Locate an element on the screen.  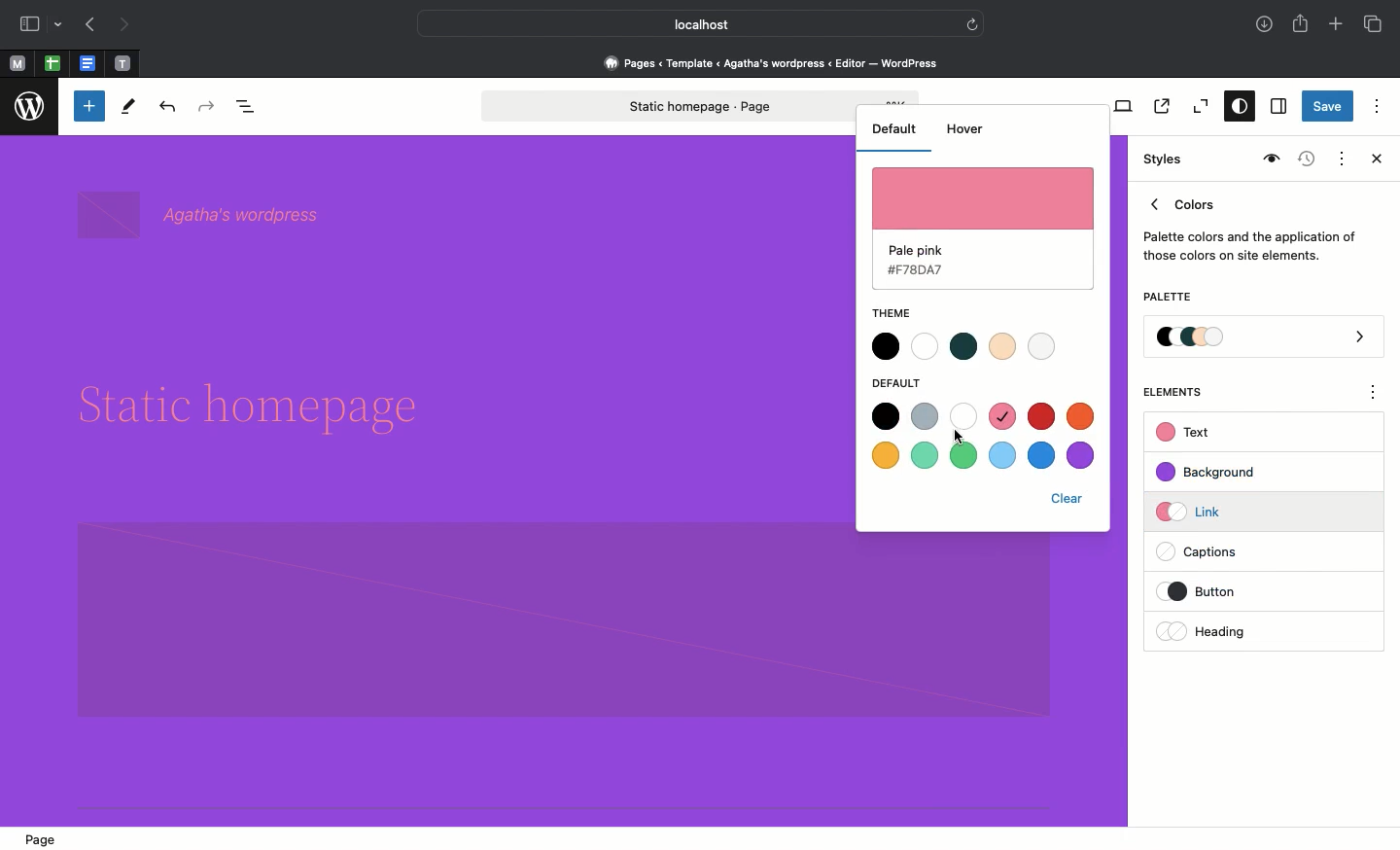
Undo is located at coordinates (167, 108).